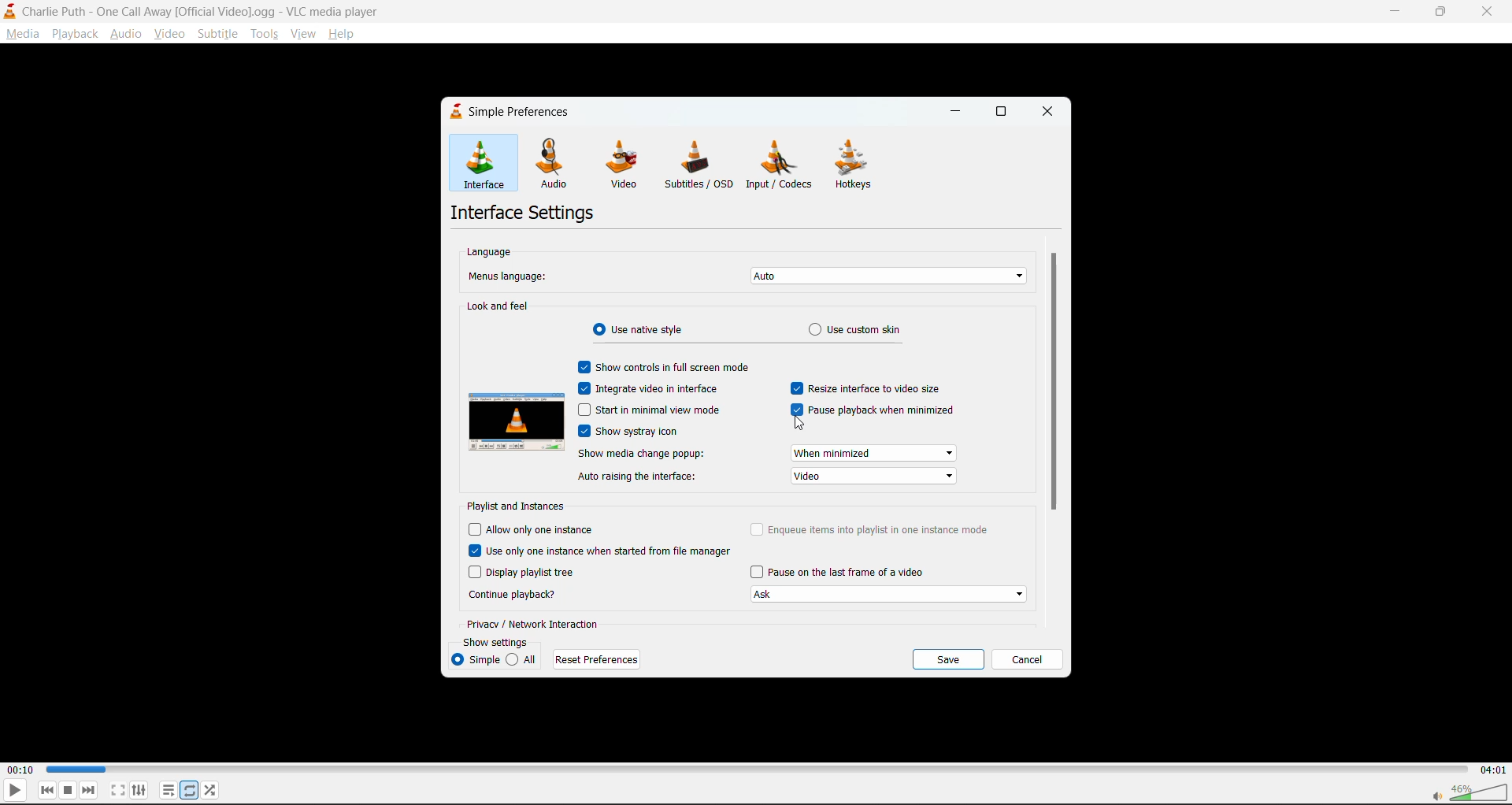 The width and height of the screenshot is (1512, 805). I want to click on Ask, so click(891, 595).